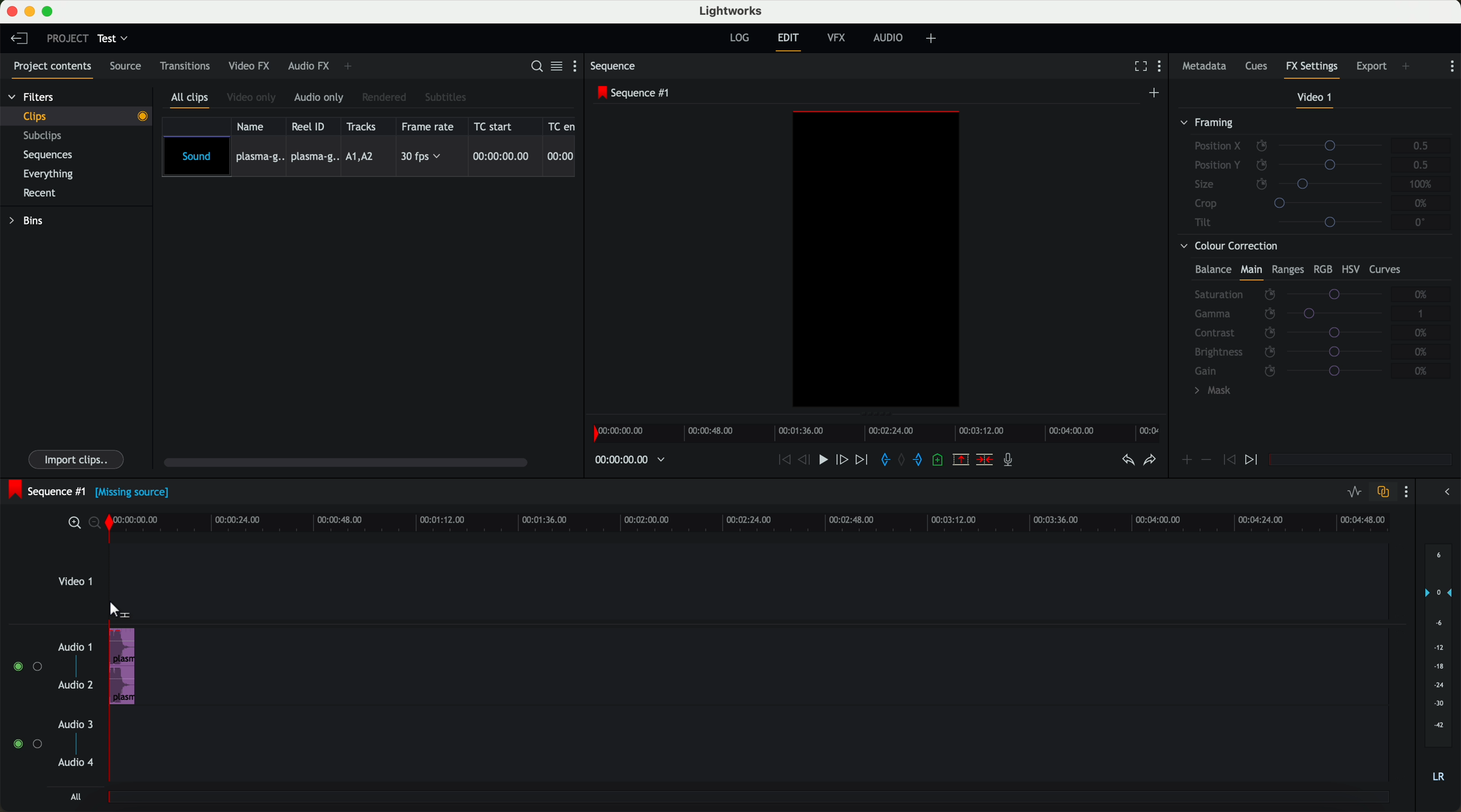 The height and width of the screenshot is (812, 1461). Describe the element at coordinates (903, 461) in the screenshot. I see `clear all marks` at that location.